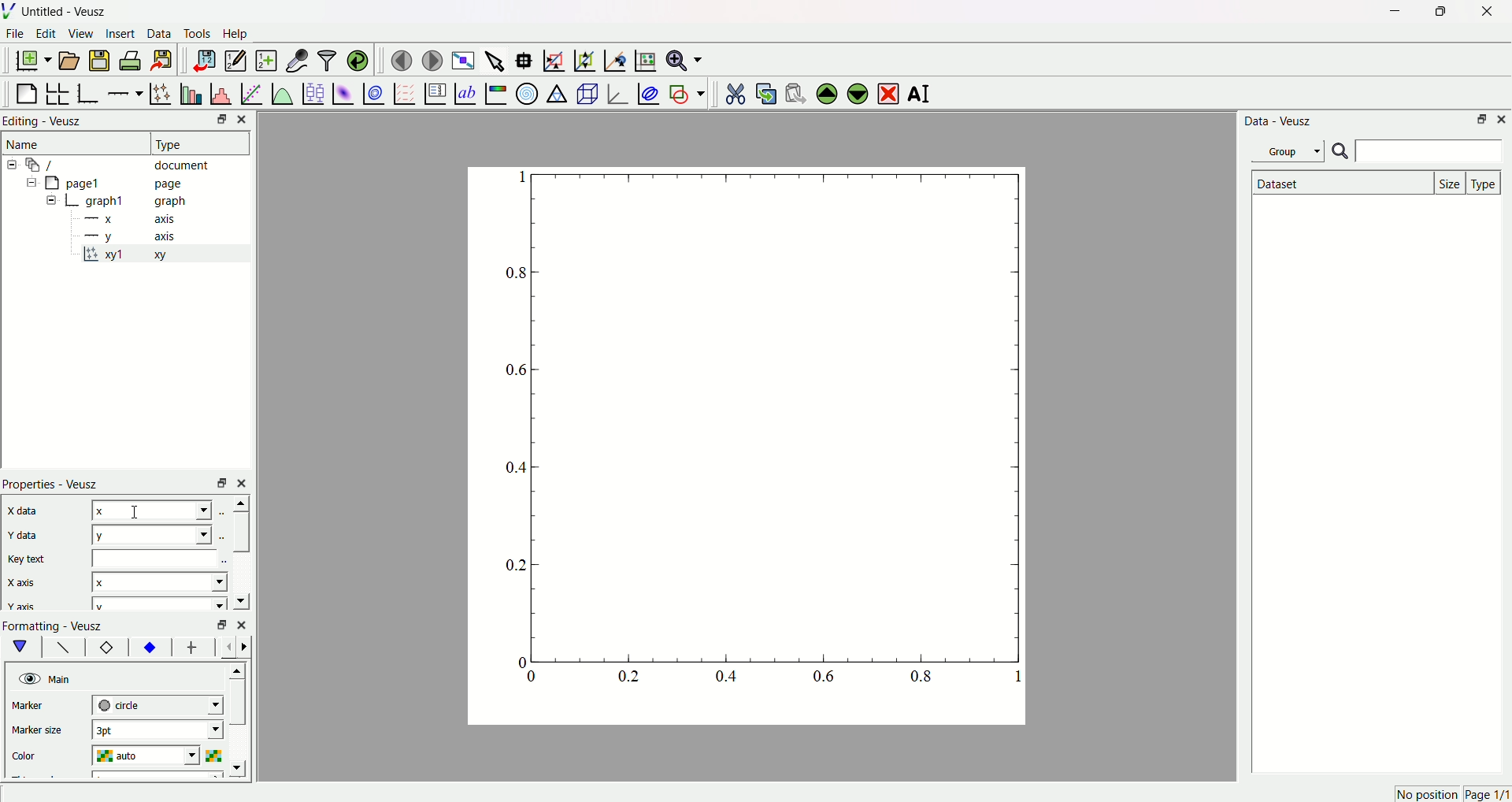 Image resolution: width=1512 pixels, height=802 pixels. I want to click on Data - Veusz, so click(1280, 122).